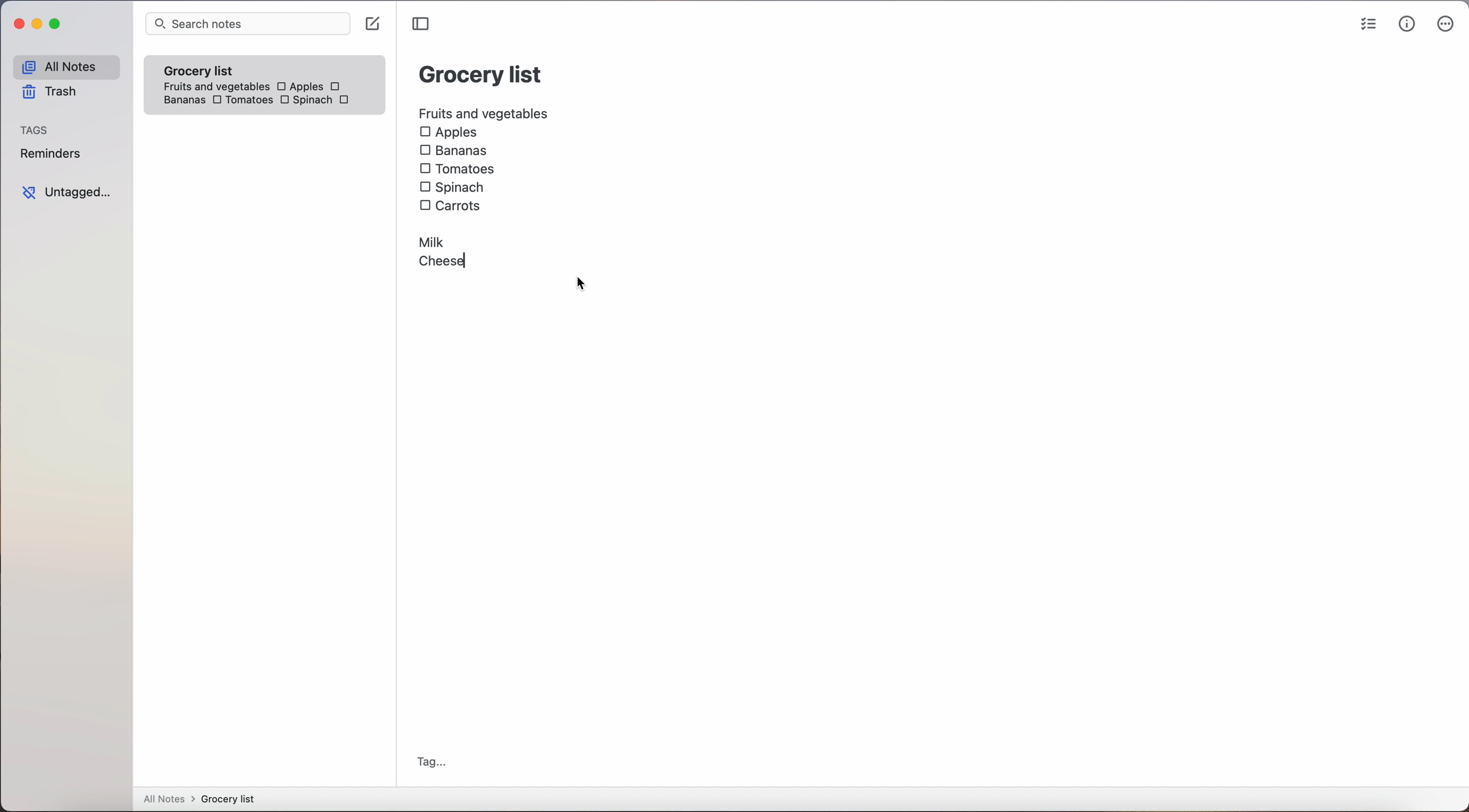 The width and height of the screenshot is (1469, 812). What do you see at coordinates (38, 129) in the screenshot?
I see `tags` at bounding box center [38, 129].